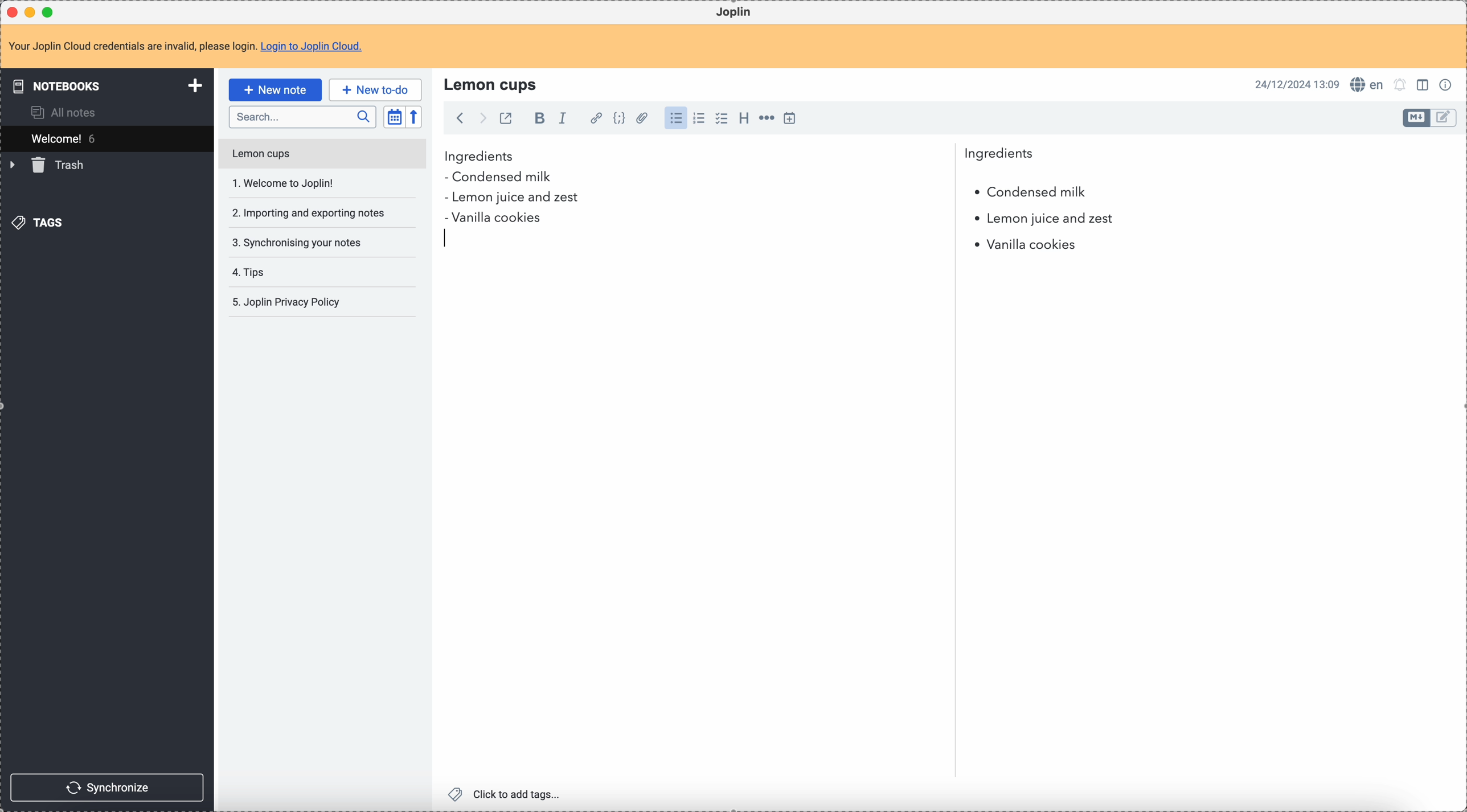  Describe the element at coordinates (109, 85) in the screenshot. I see `notebooks` at that location.